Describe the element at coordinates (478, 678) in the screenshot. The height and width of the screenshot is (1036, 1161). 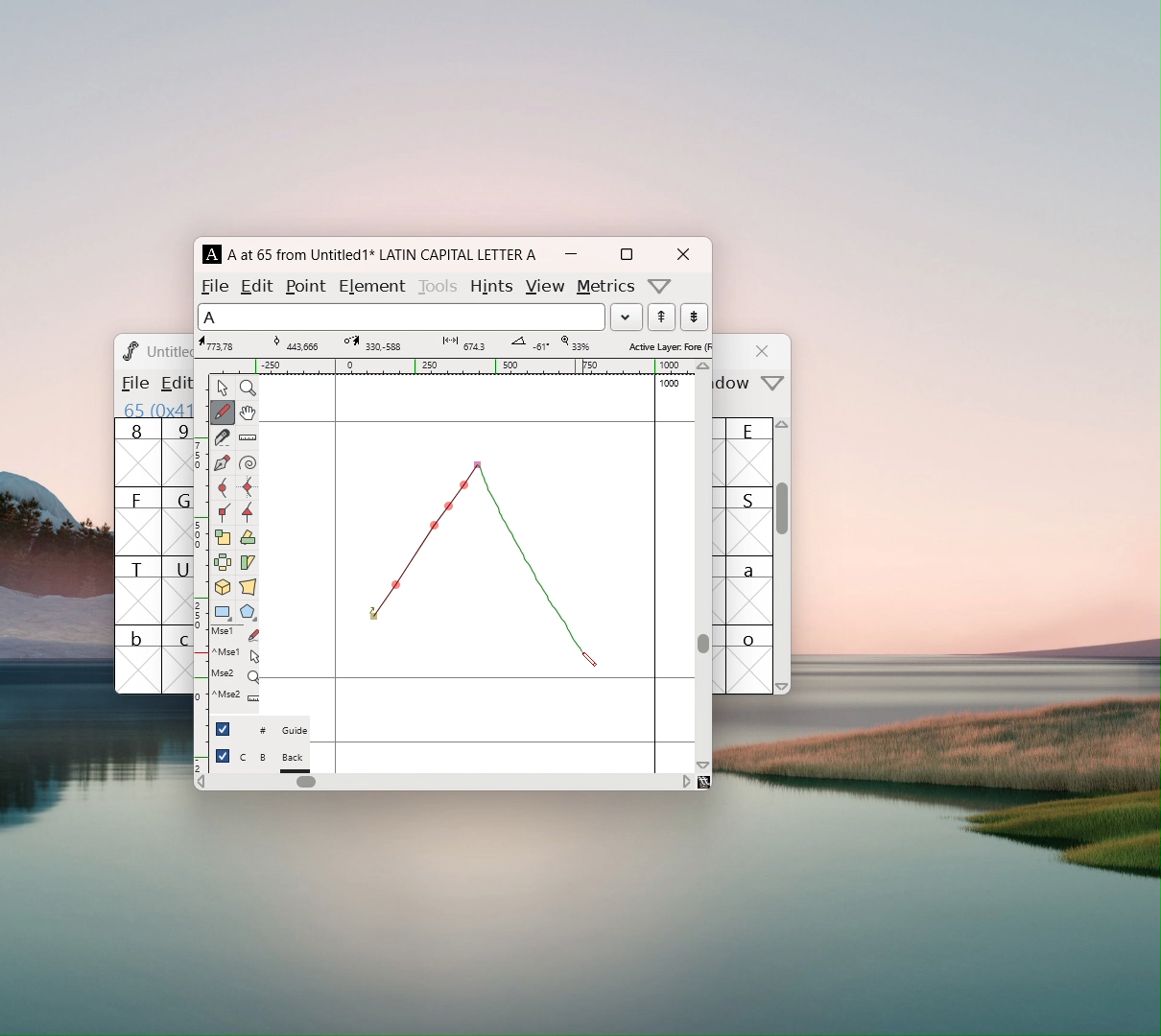
I see `baseline` at that location.